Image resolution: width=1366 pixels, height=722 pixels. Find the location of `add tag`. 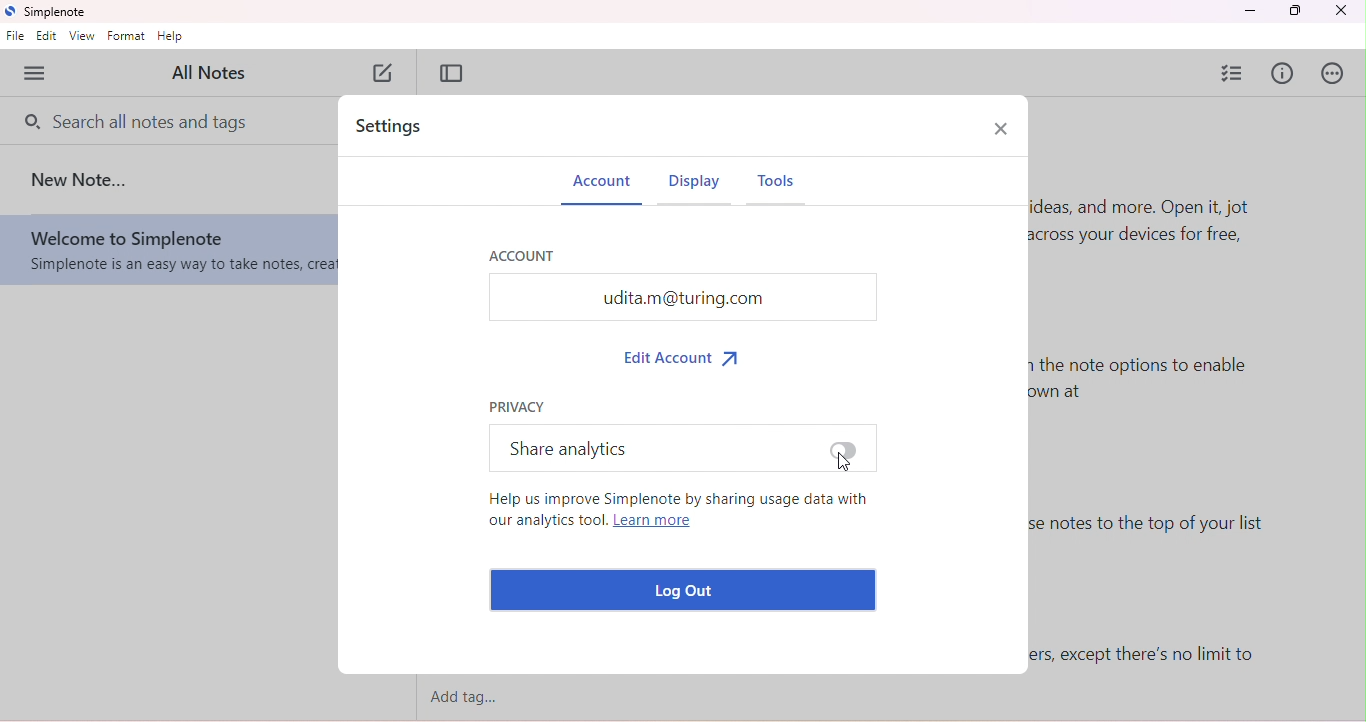

add tag is located at coordinates (474, 698).